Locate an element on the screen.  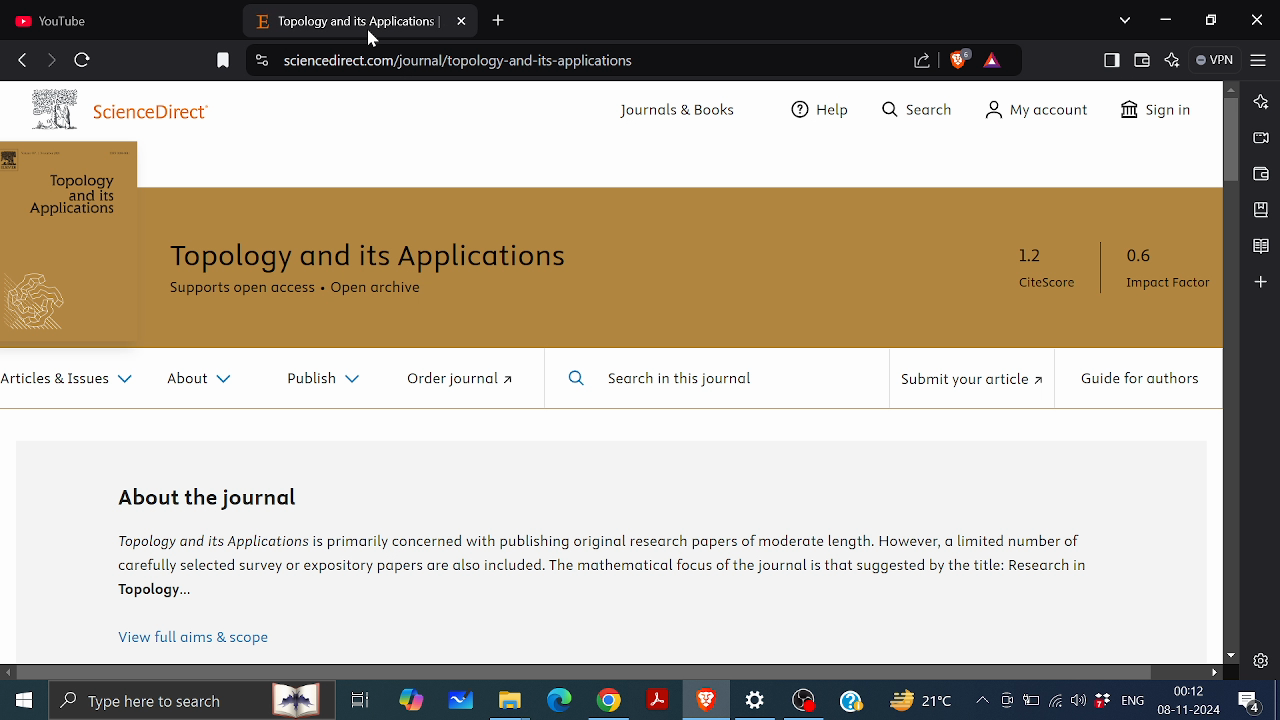
Current tab is located at coordinates (104, 20).